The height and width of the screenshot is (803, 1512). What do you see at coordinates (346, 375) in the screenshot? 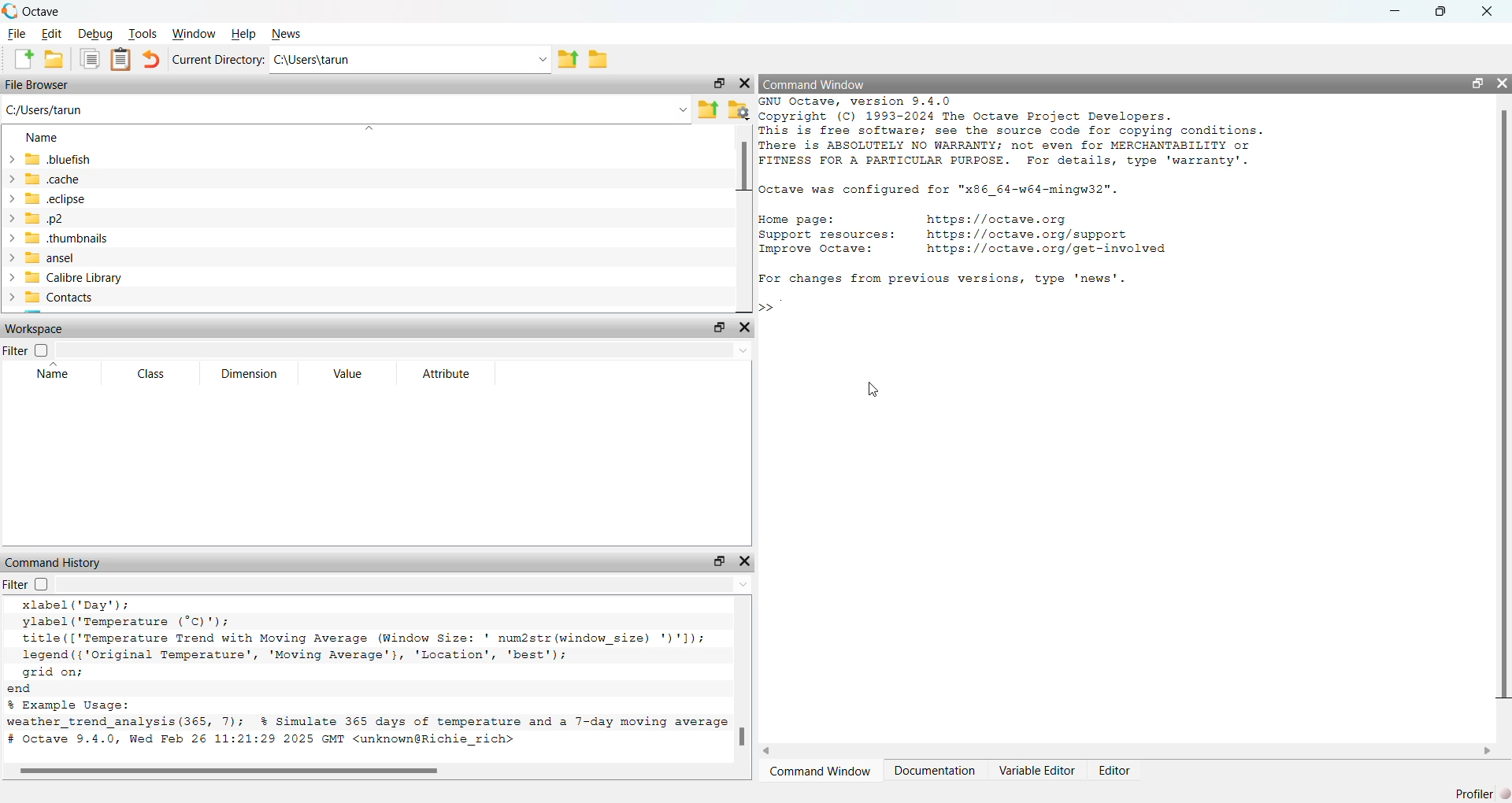
I see `Value` at bounding box center [346, 375].